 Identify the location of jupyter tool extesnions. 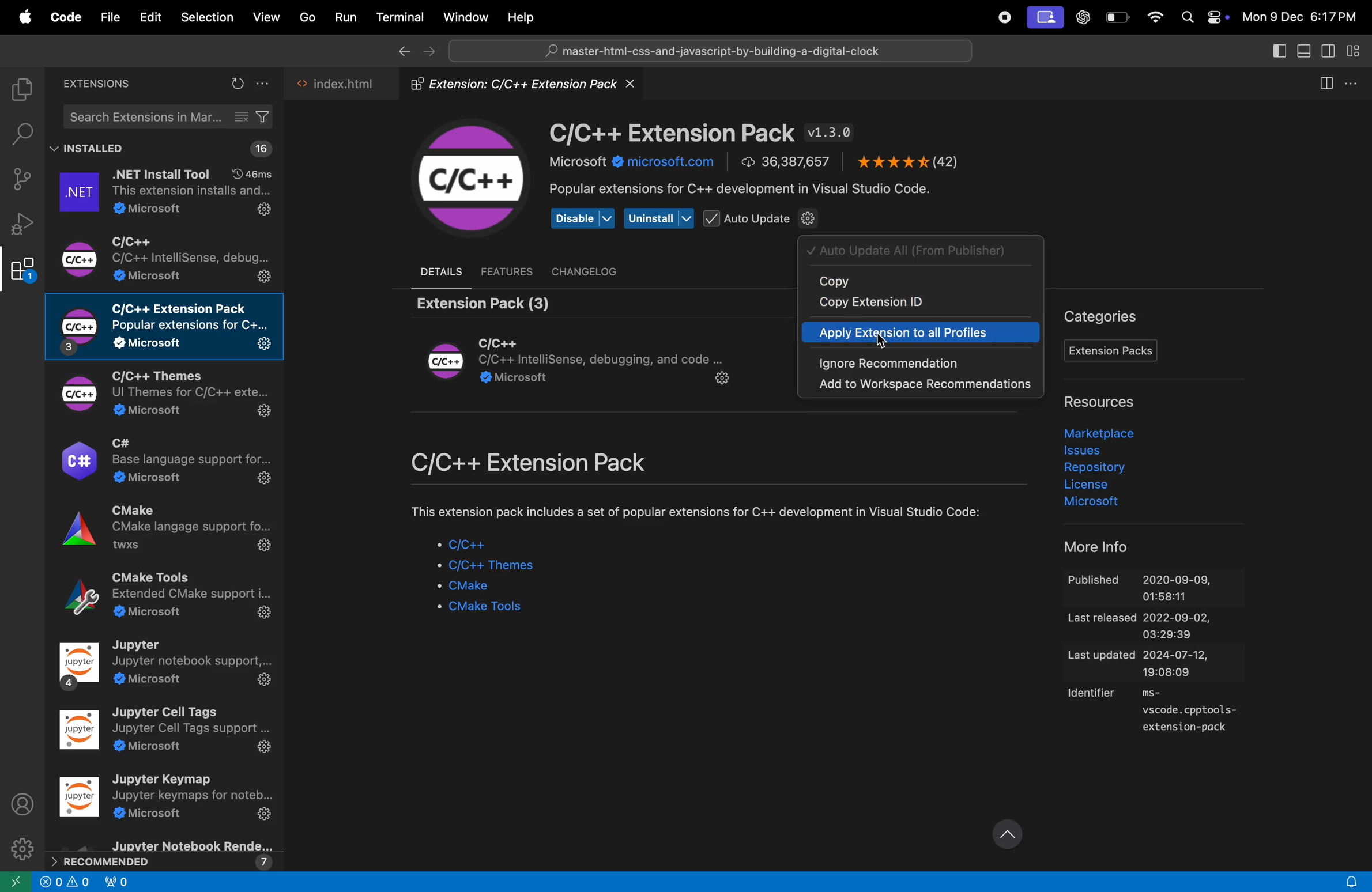
(167, 734).